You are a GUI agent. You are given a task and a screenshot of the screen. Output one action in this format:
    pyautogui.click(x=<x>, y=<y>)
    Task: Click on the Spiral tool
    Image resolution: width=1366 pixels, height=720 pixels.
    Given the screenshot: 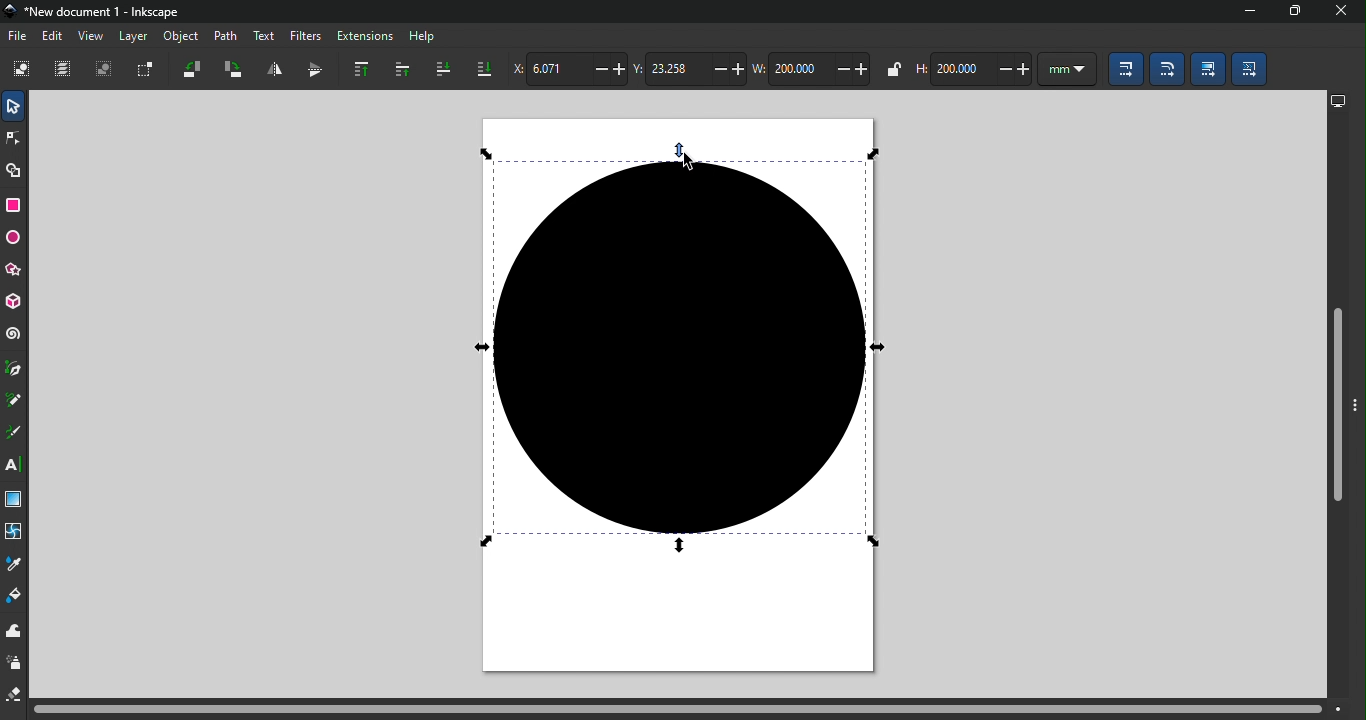 What is the action you would take?
    pyautogui.click(x=15, y=334)
    